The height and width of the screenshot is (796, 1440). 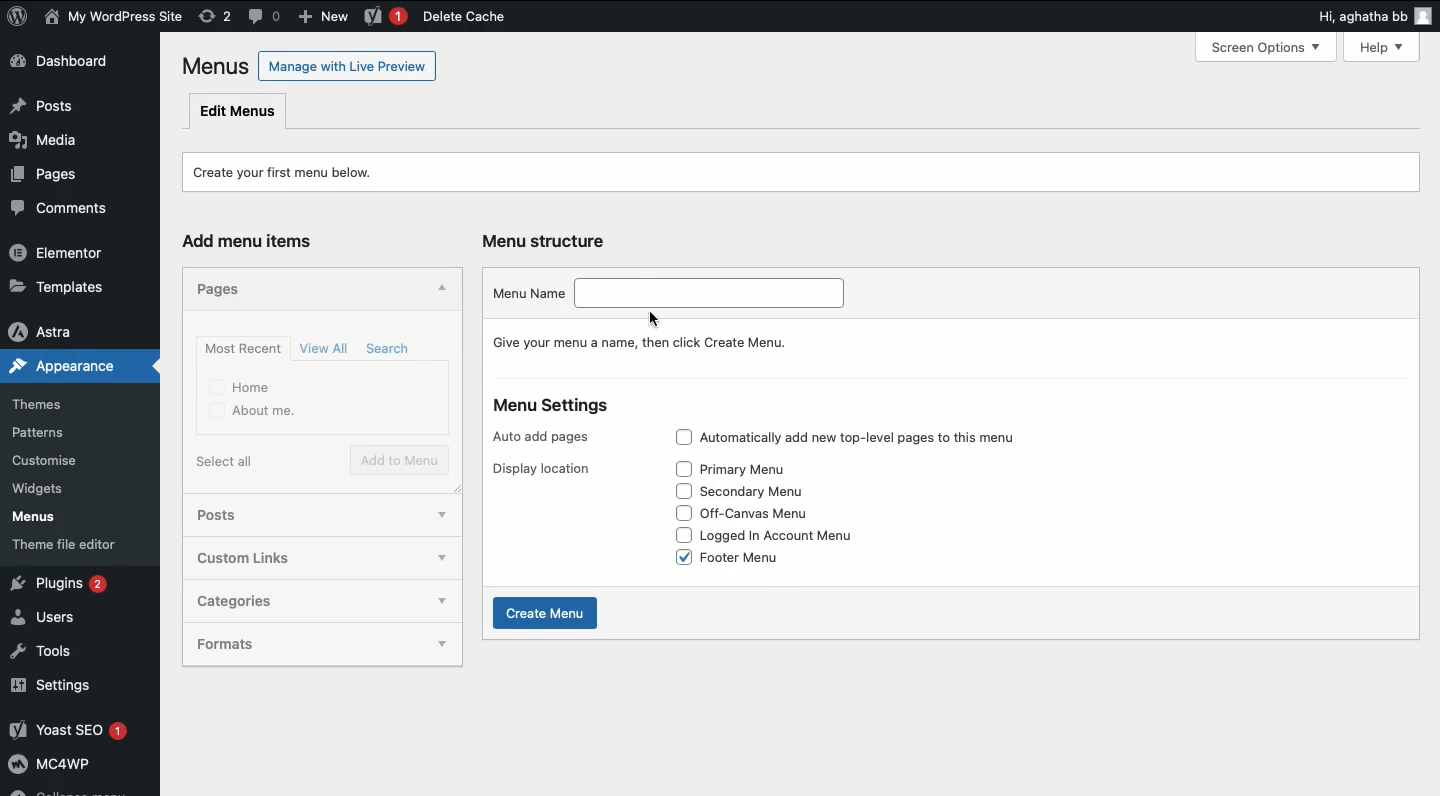 I want to click on Mcawp, so click(x=80, y=768).